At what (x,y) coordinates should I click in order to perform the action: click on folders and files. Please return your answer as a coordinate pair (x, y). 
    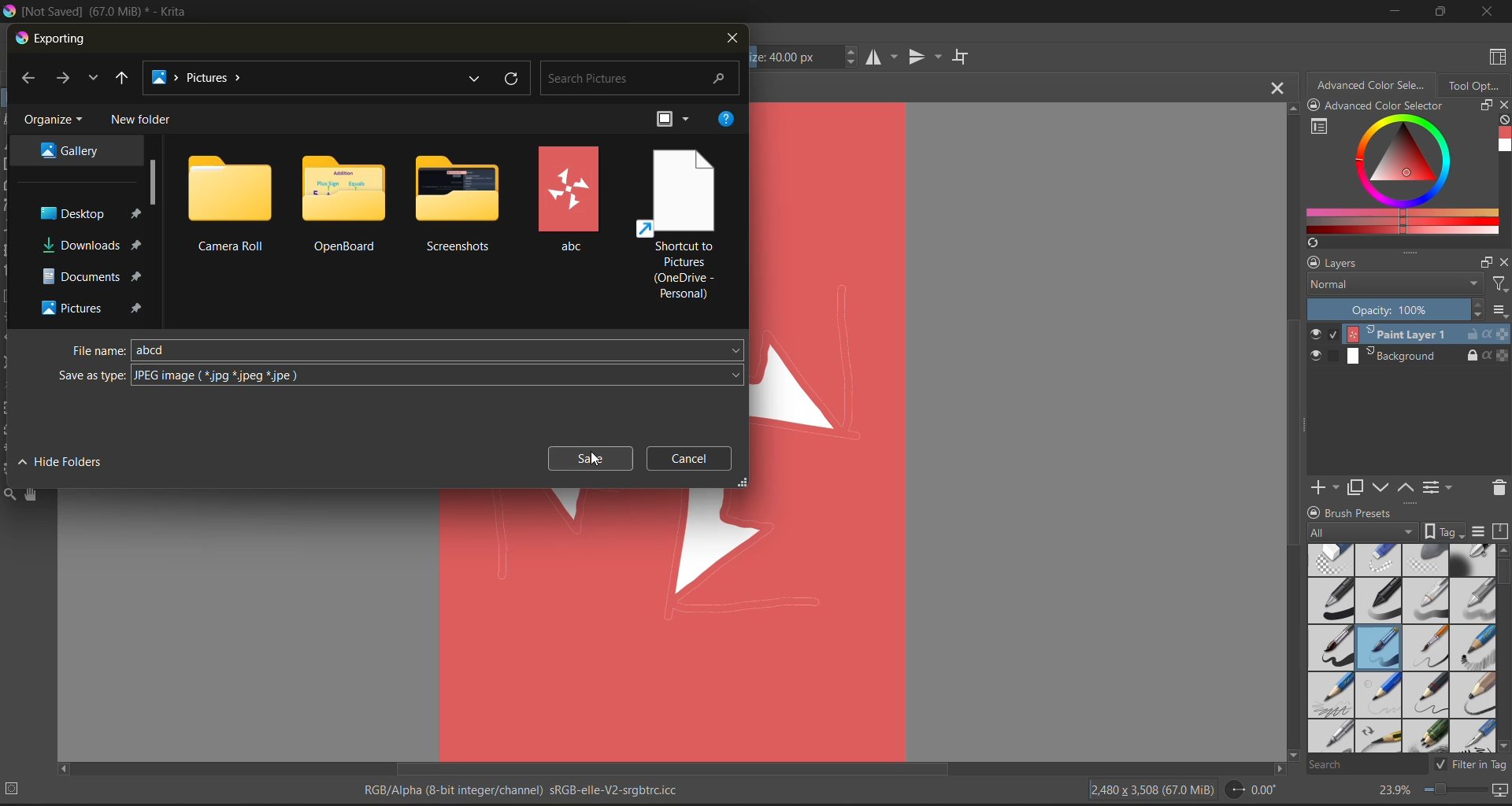
    Looking at the image, I should click on (347, 201).